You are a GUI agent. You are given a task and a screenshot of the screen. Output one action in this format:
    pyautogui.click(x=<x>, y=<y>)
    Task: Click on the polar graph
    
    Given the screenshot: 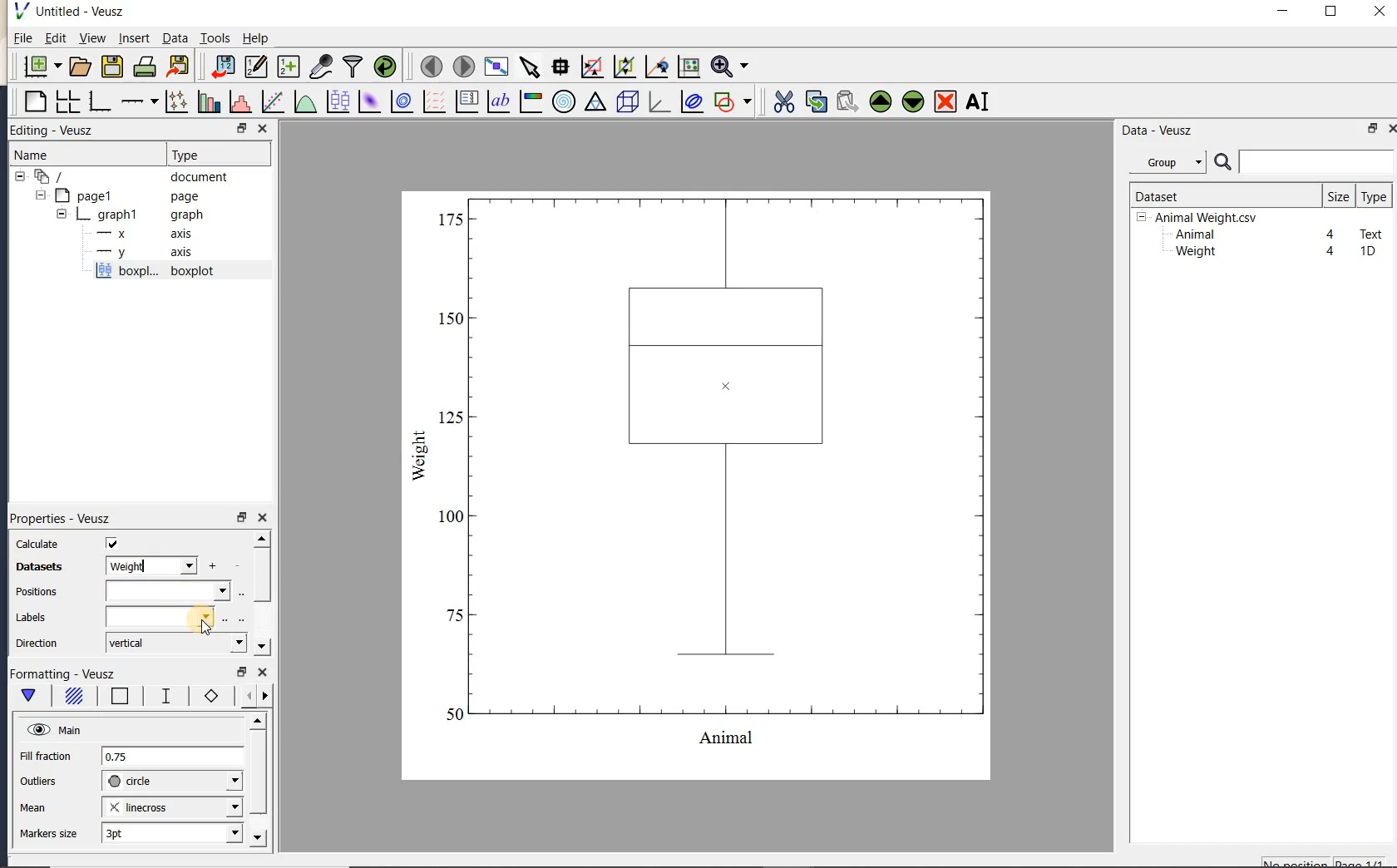 What is the action you would take?
    pyautogui.click(x=563, y=101)
    